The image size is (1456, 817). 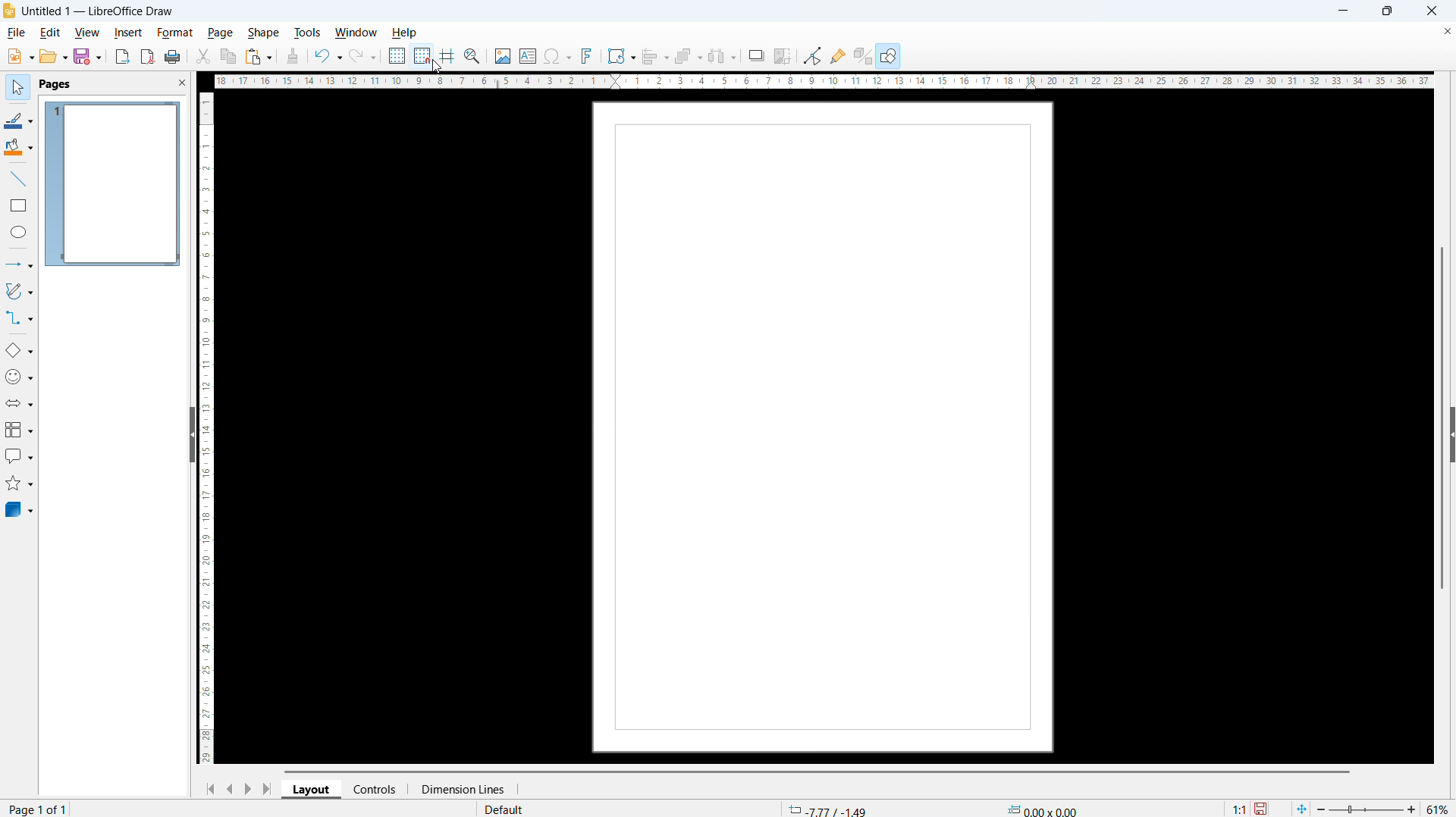 I want to click on Shadow , so click(x=757, y=55).